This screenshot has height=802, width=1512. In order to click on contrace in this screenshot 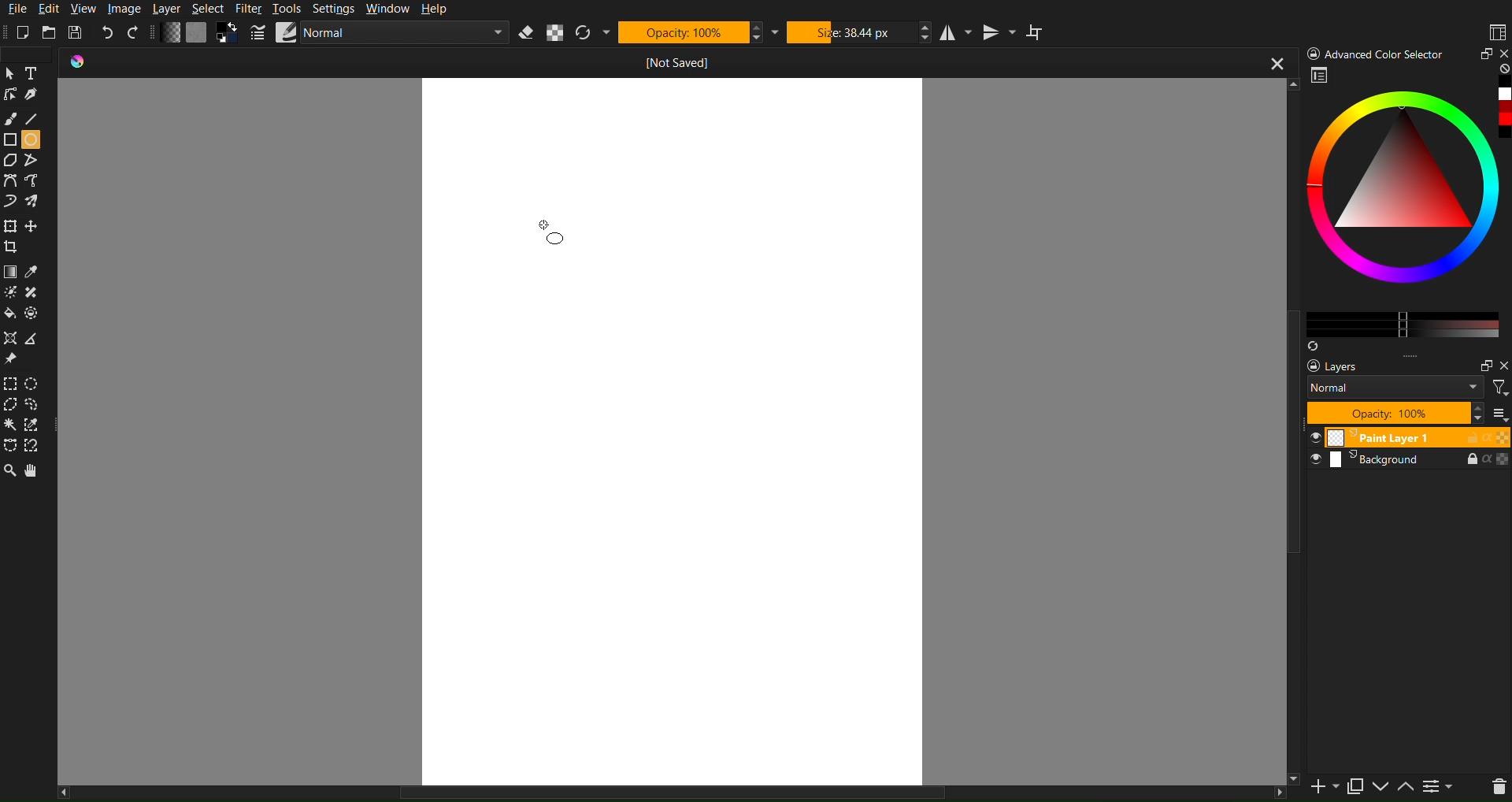, I will do `click(1443, 786)`.